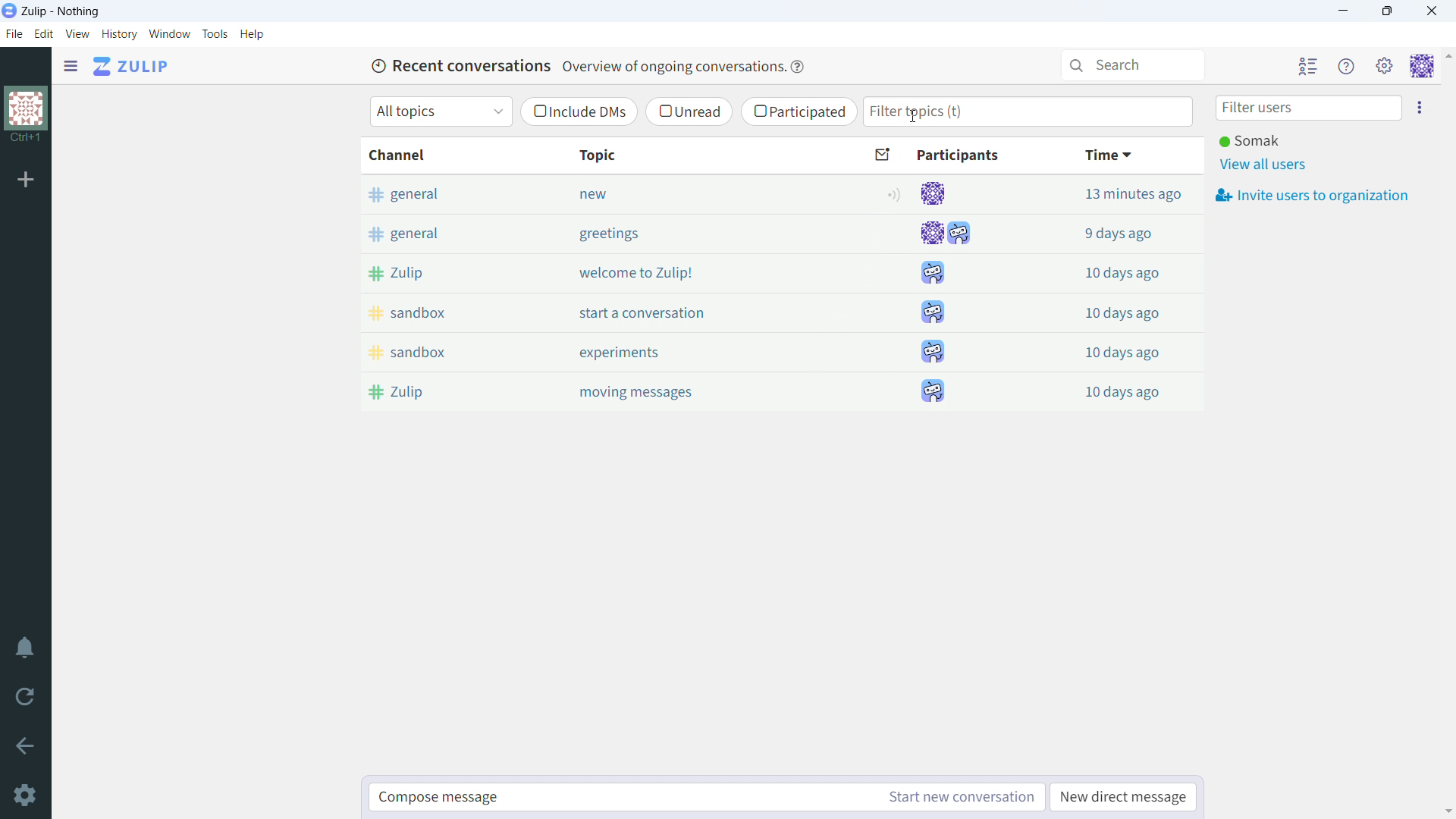  Describe the element at coordinates (438, 312) in the screenshot. I see `sandbox` at that location.